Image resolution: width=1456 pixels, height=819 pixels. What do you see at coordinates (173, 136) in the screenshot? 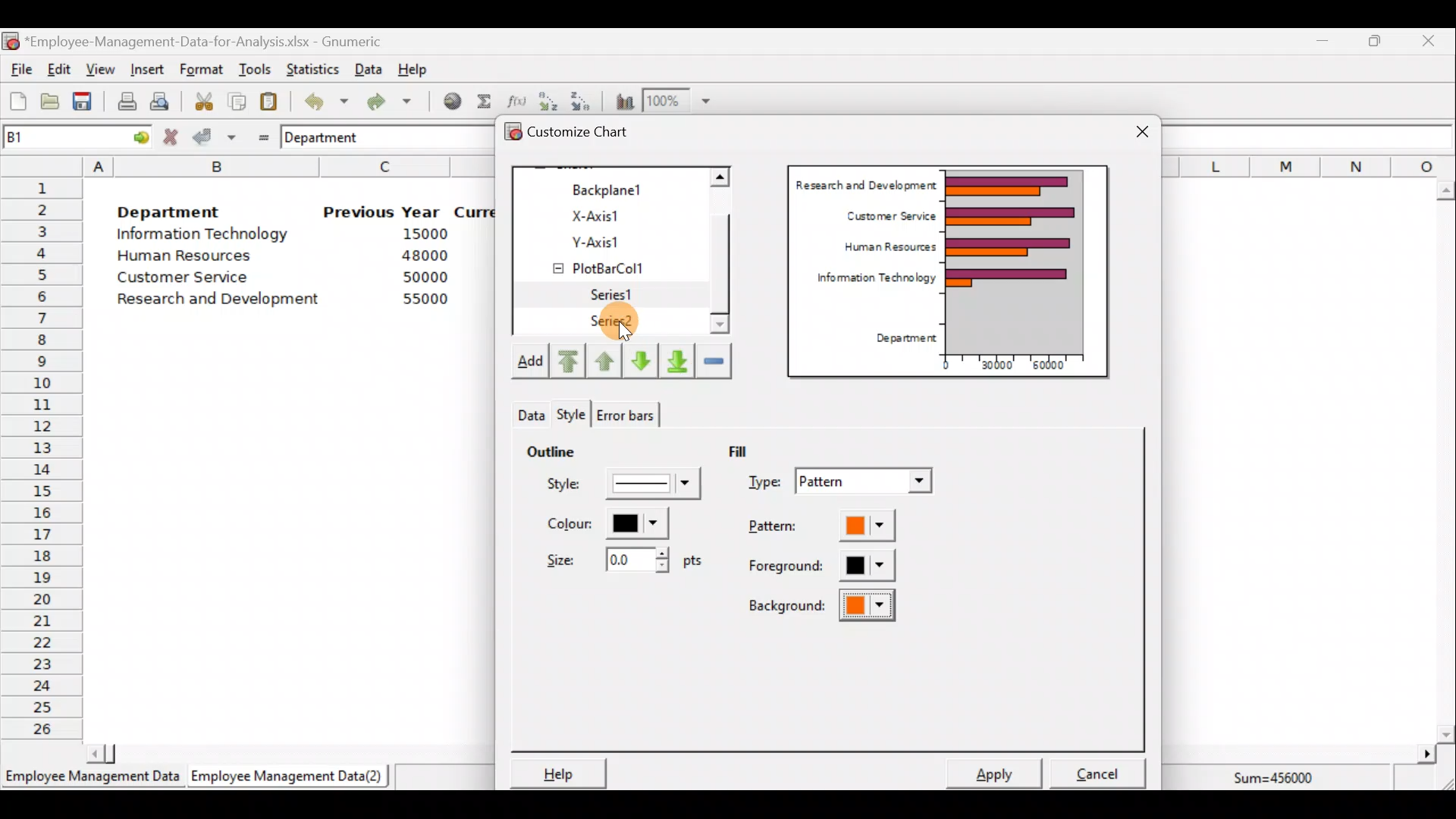
I see `Cancel change` at bounding box center [173, 136].